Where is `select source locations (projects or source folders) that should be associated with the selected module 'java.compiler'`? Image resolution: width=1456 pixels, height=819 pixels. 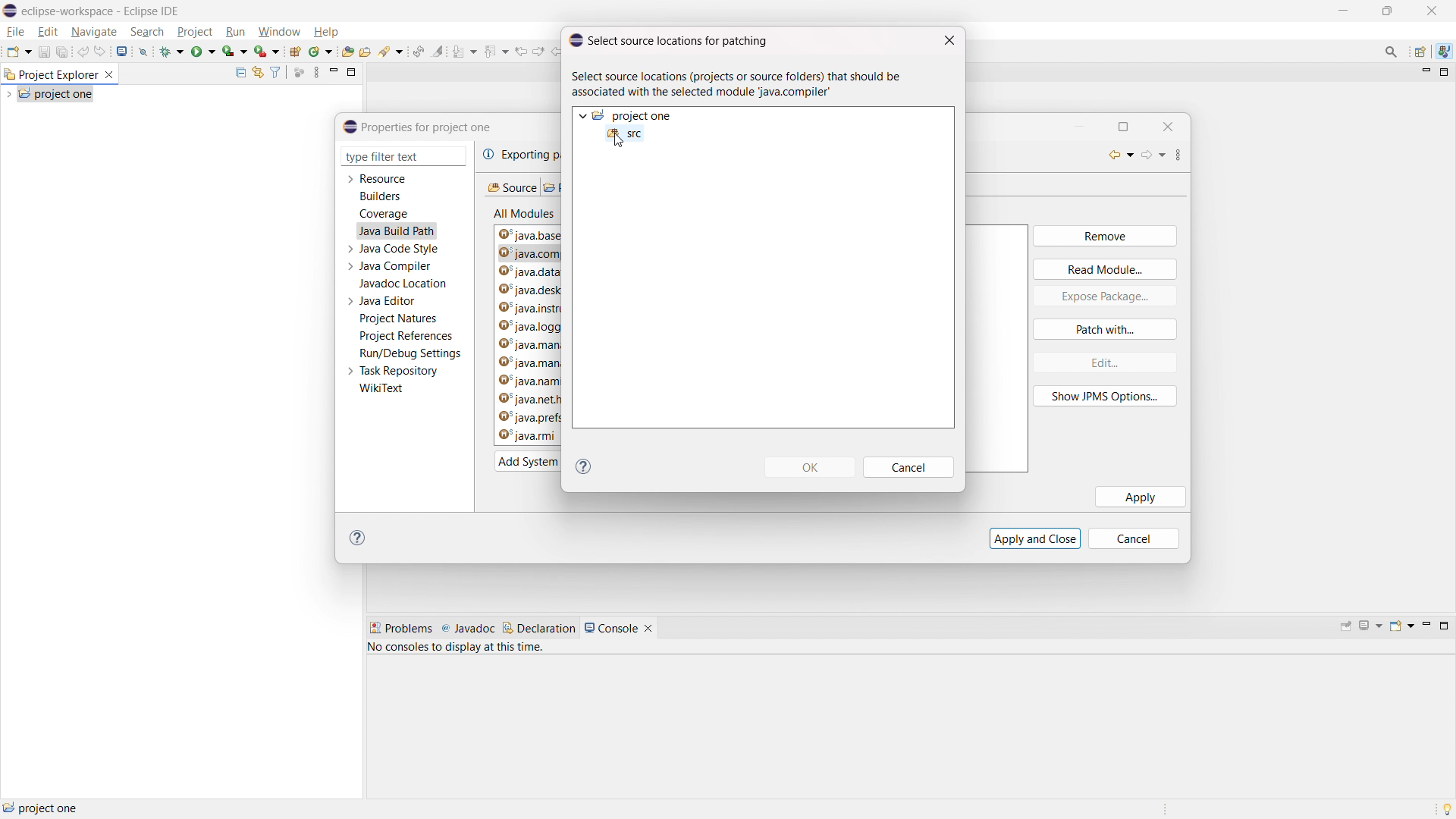 select source locations (projects or source folders) that should be associated with the selected module 'java.compiler' is located at coordinates (742, 85).